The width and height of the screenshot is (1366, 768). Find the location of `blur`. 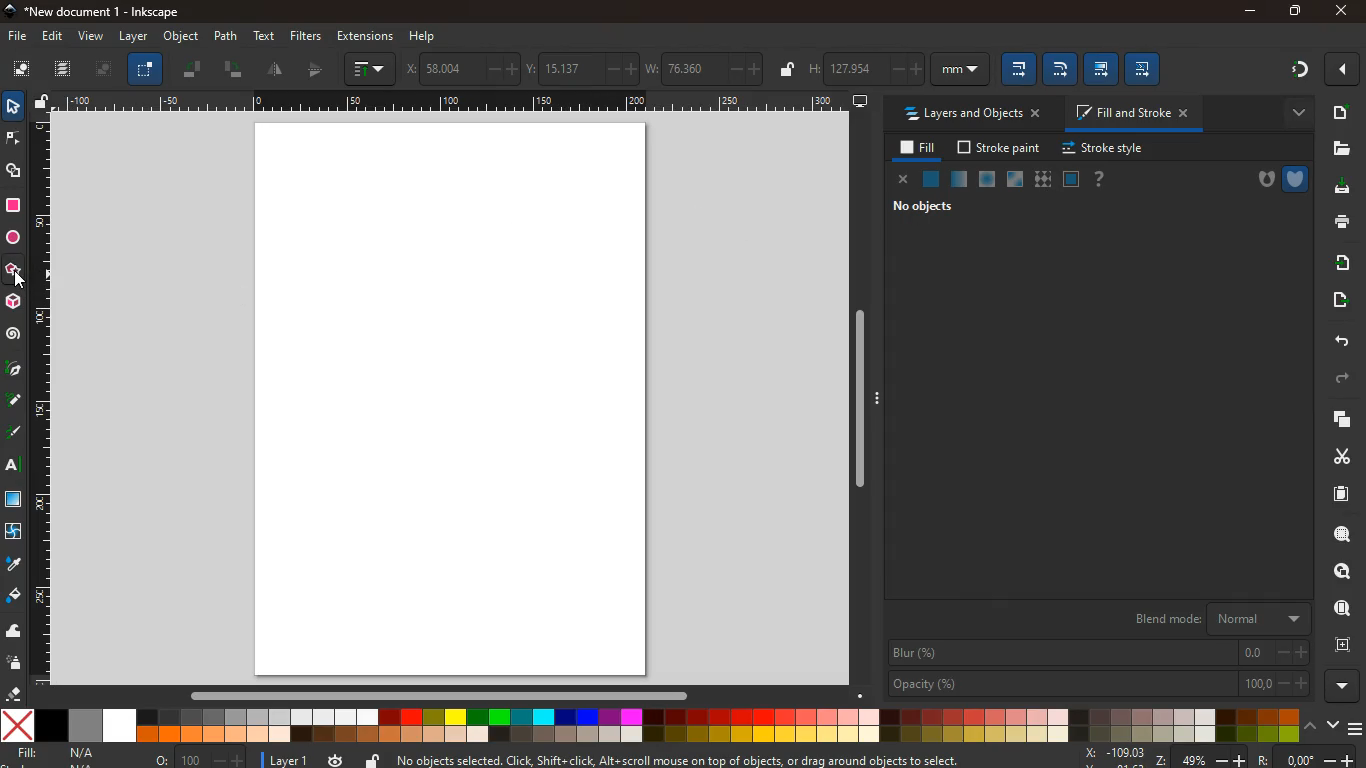

blur is located at coordinates (1095, 653).